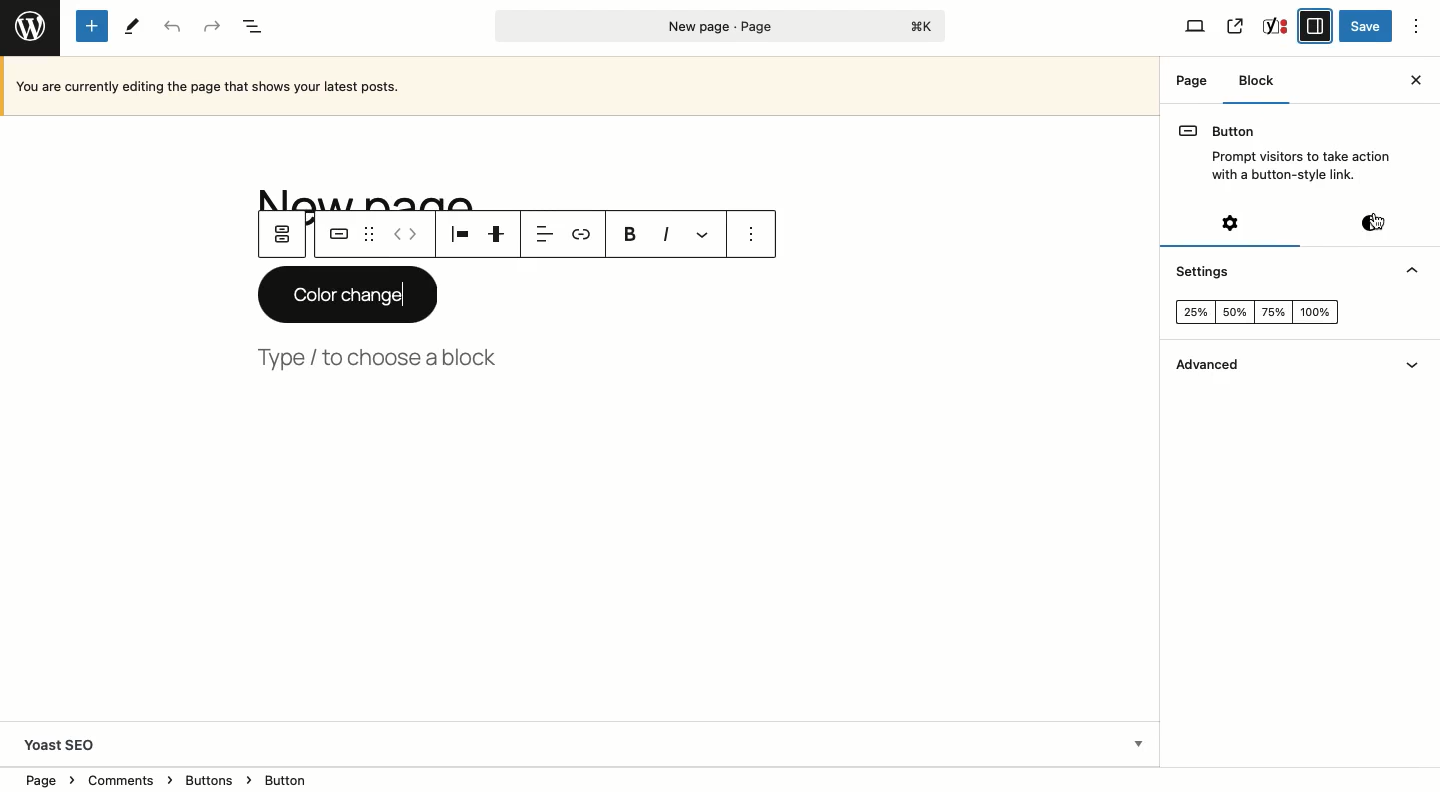 The width and height of the screenshot is (1440, 792). What do you see at coordinates (630, 234) in the screenshot?
I see `Bold` at bounding box center [630, 234].